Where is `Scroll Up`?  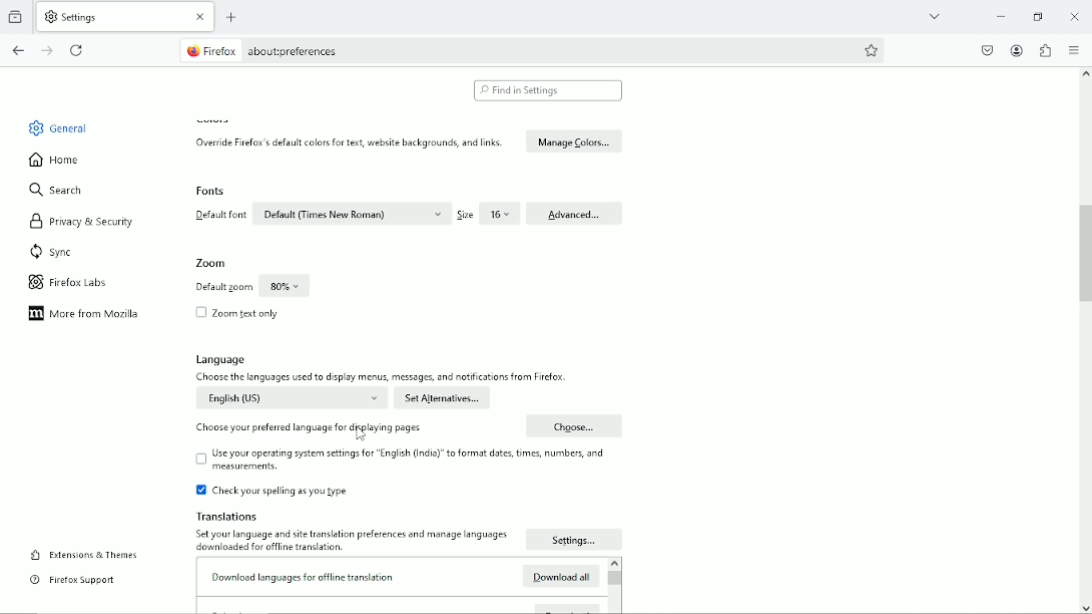
Scroll Up is located at coordinates (1085, 74).